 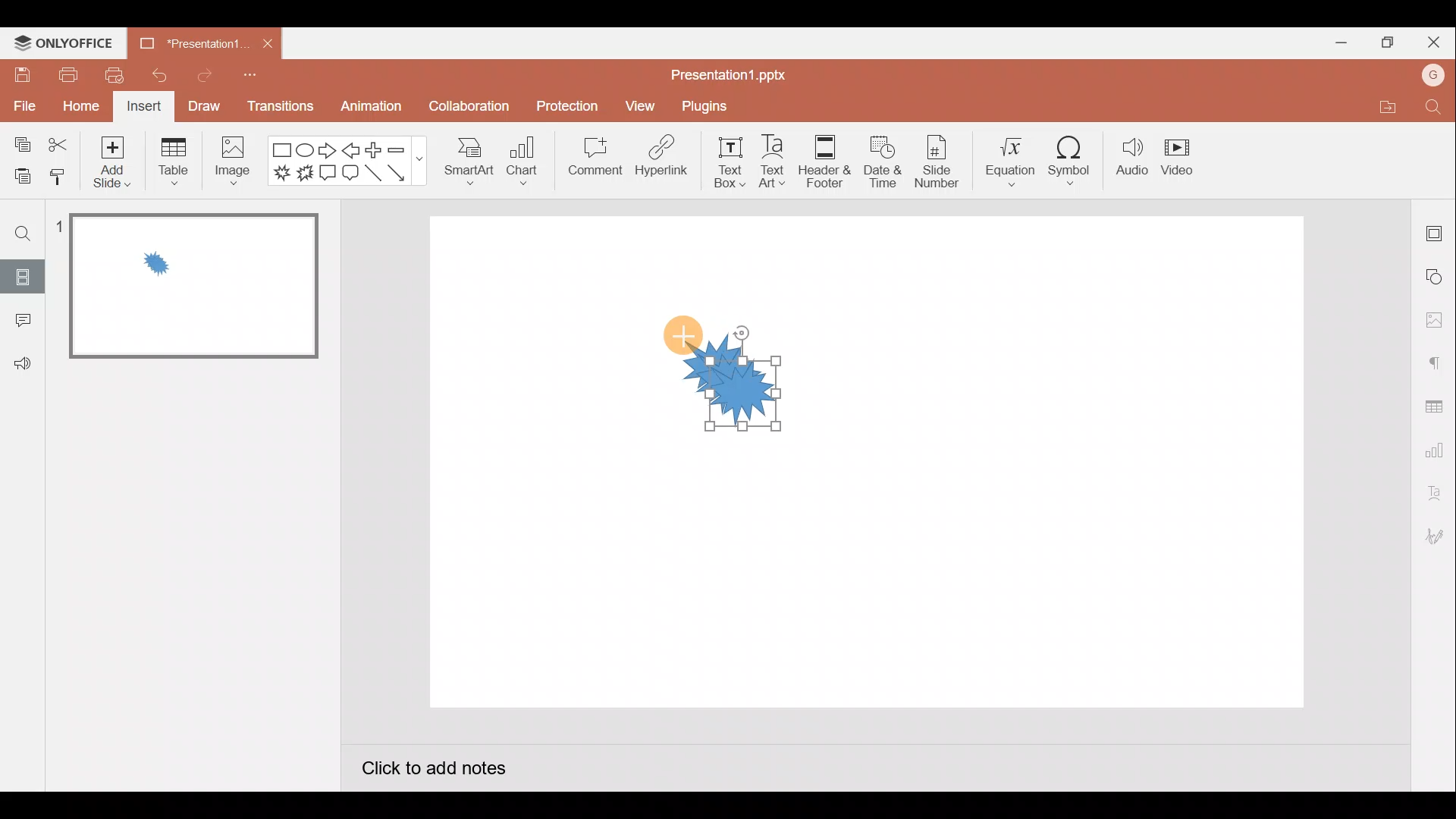 What do you see at coordinates (1059, 467) in the screenshot?
I see `Presentation slide` at bounding box center [1059, 467].